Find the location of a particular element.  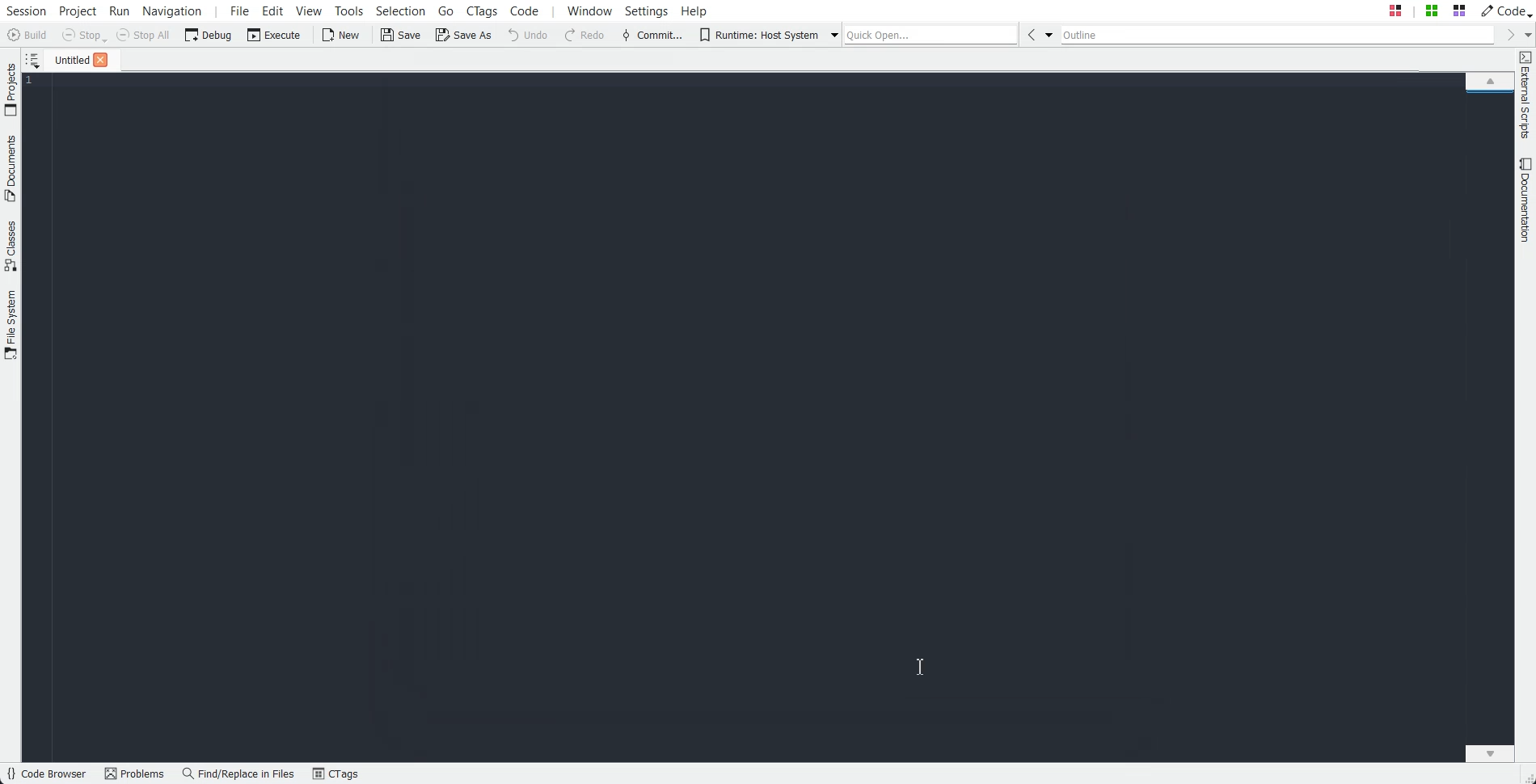

Slide Shifter is located at coordinates (1526, 776).